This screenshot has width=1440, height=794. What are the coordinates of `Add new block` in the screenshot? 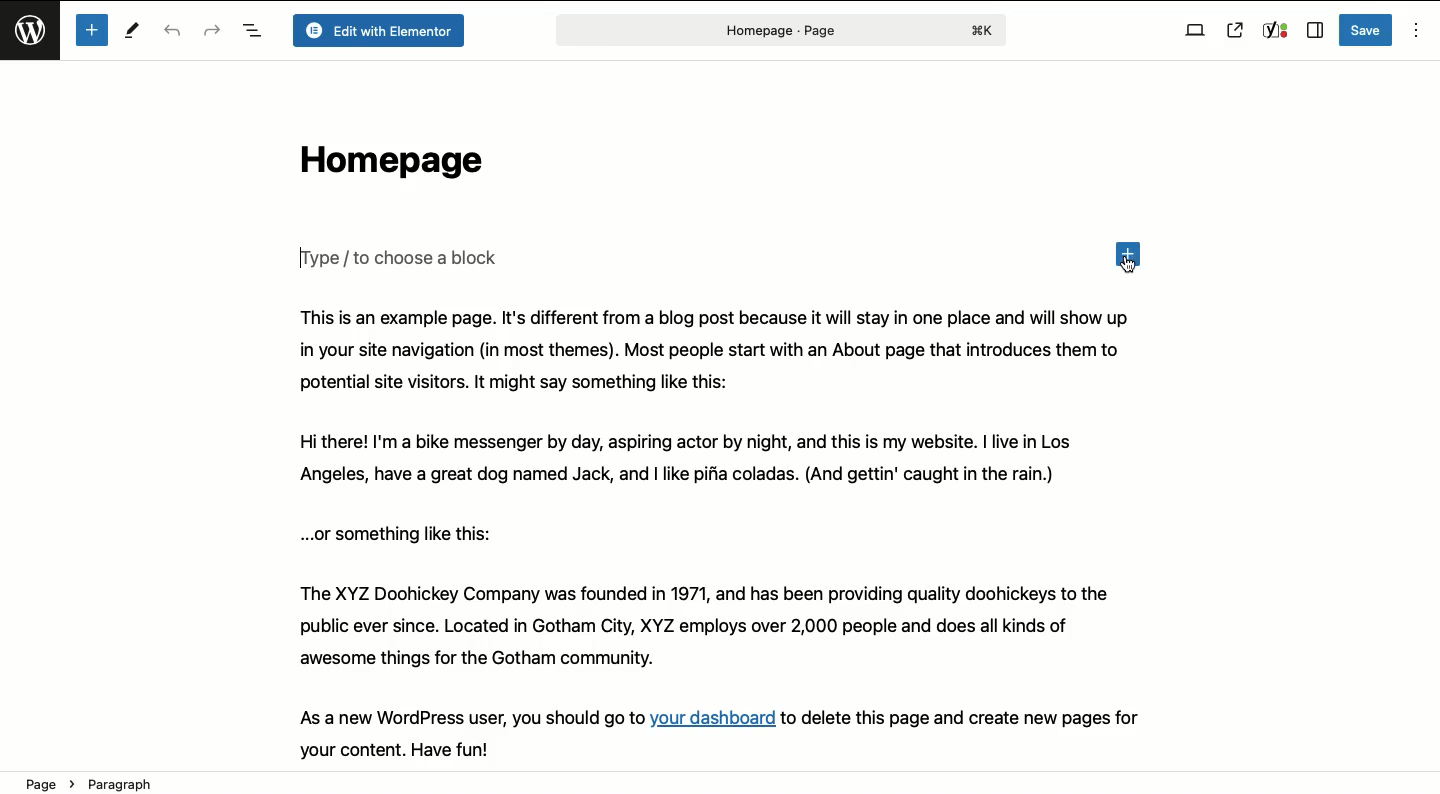 It's located at (91, 30).